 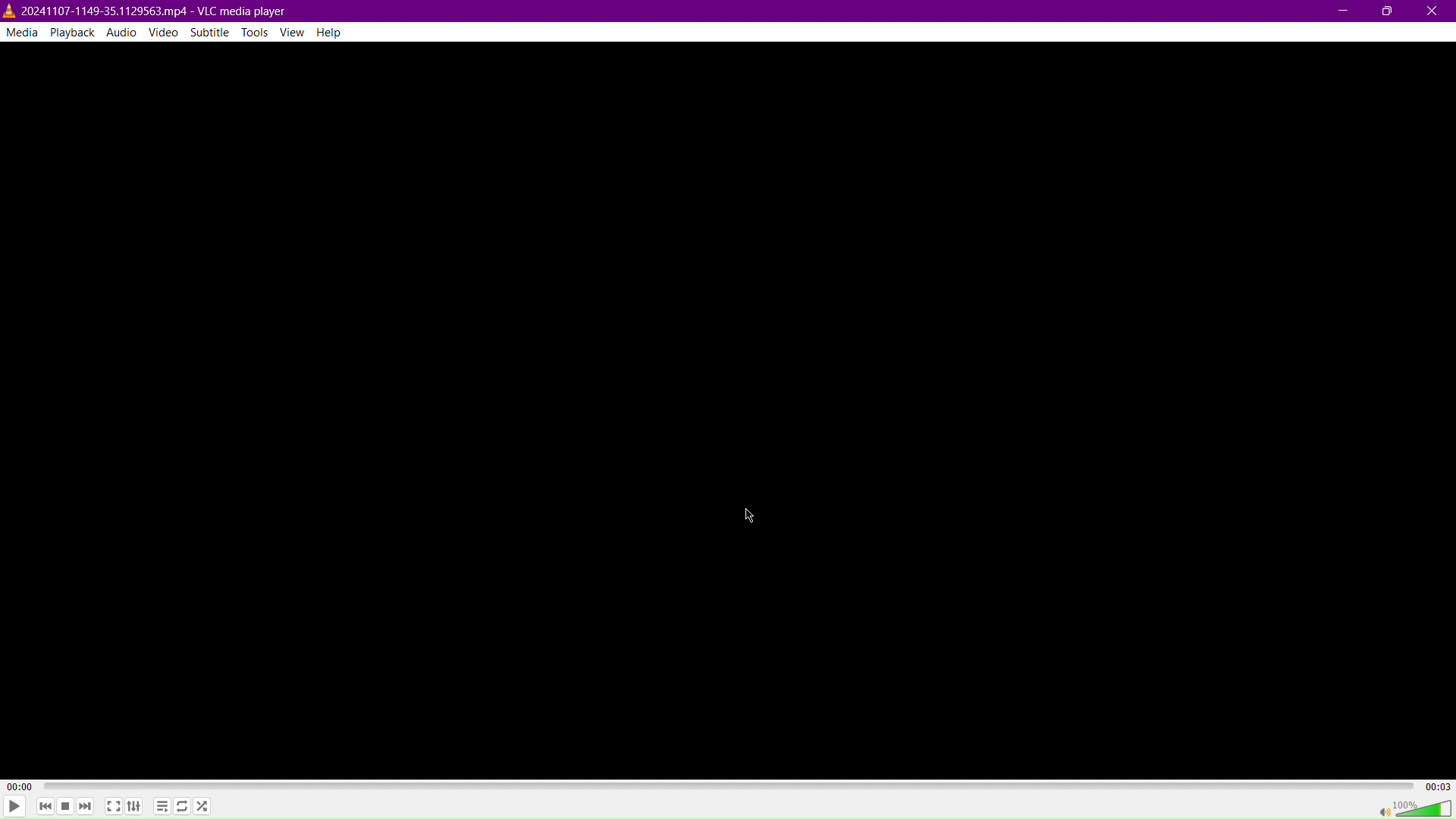 I want to click on Stop, so click(x=64, y=808).